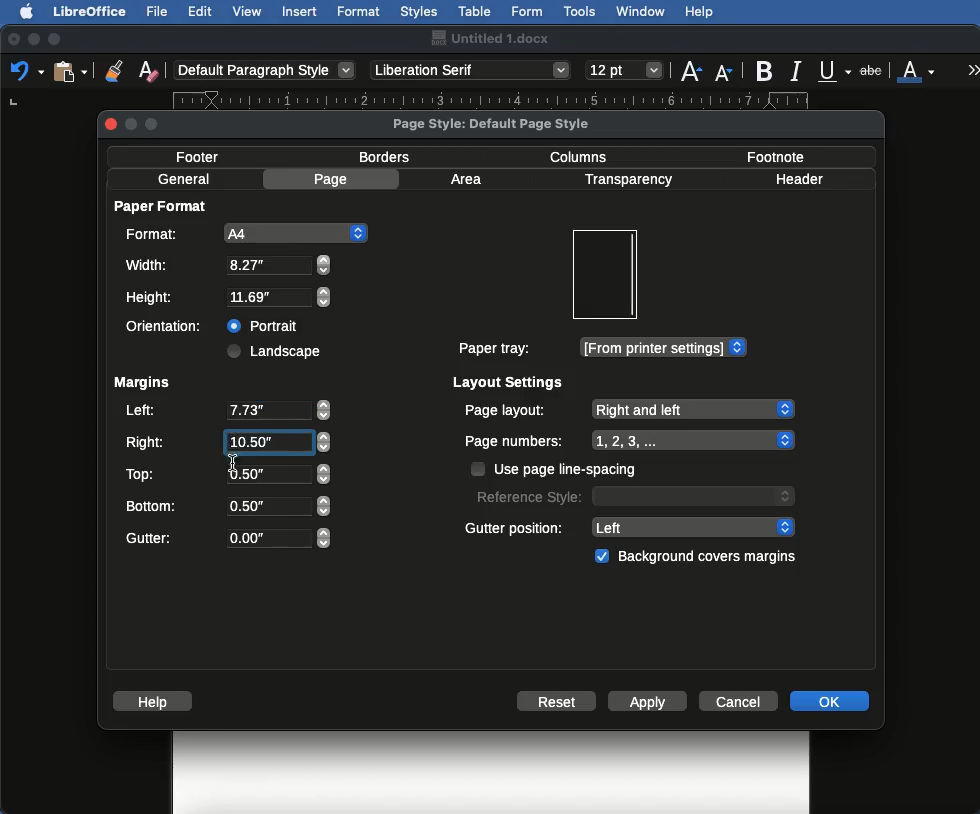 The height and width of the screenshot is (814, 980). I want to click on Minimize, so click(33, 39).